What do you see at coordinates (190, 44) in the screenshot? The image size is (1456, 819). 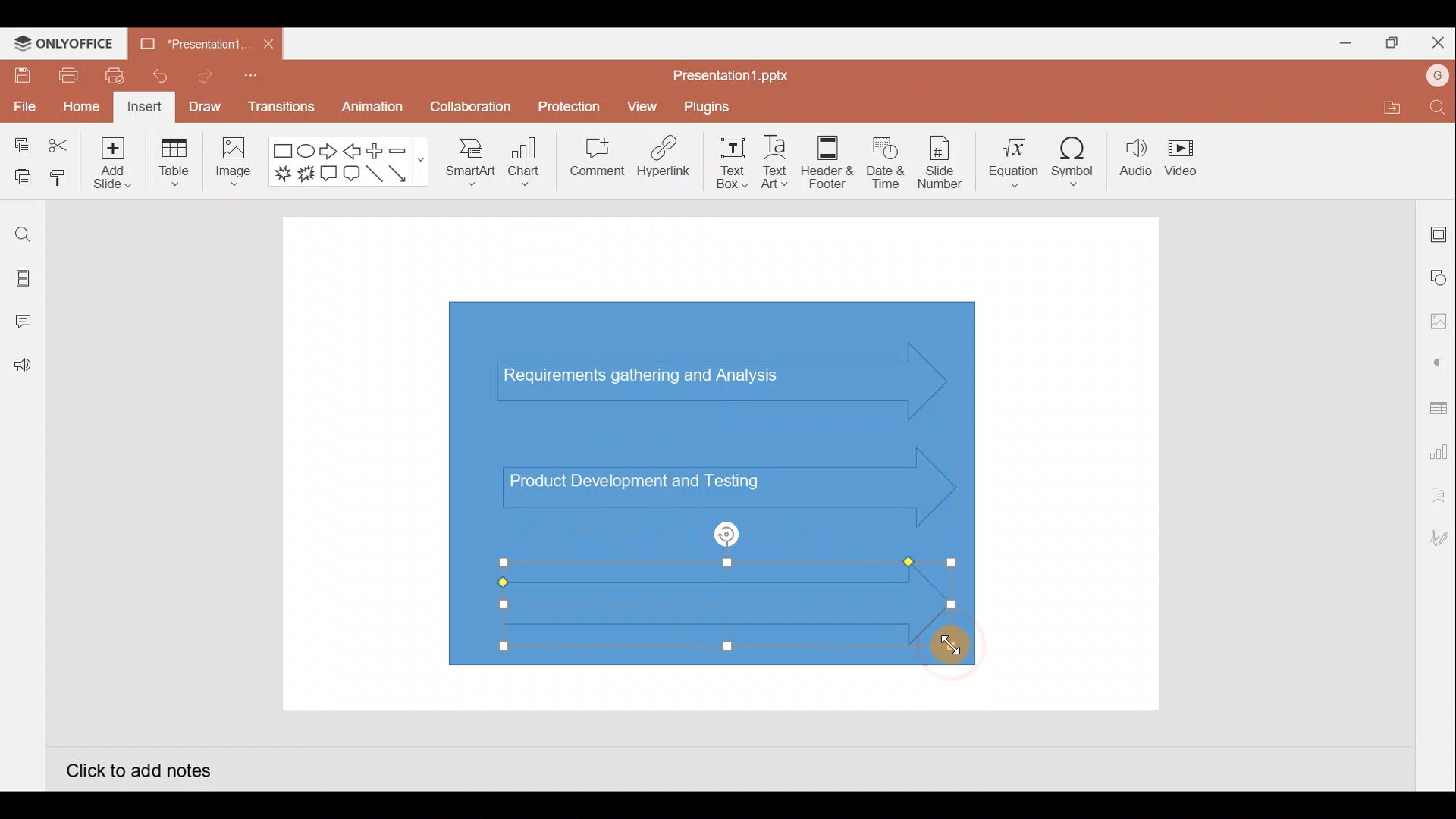 I see `Presentation1.` at bounding box center [190, 44].